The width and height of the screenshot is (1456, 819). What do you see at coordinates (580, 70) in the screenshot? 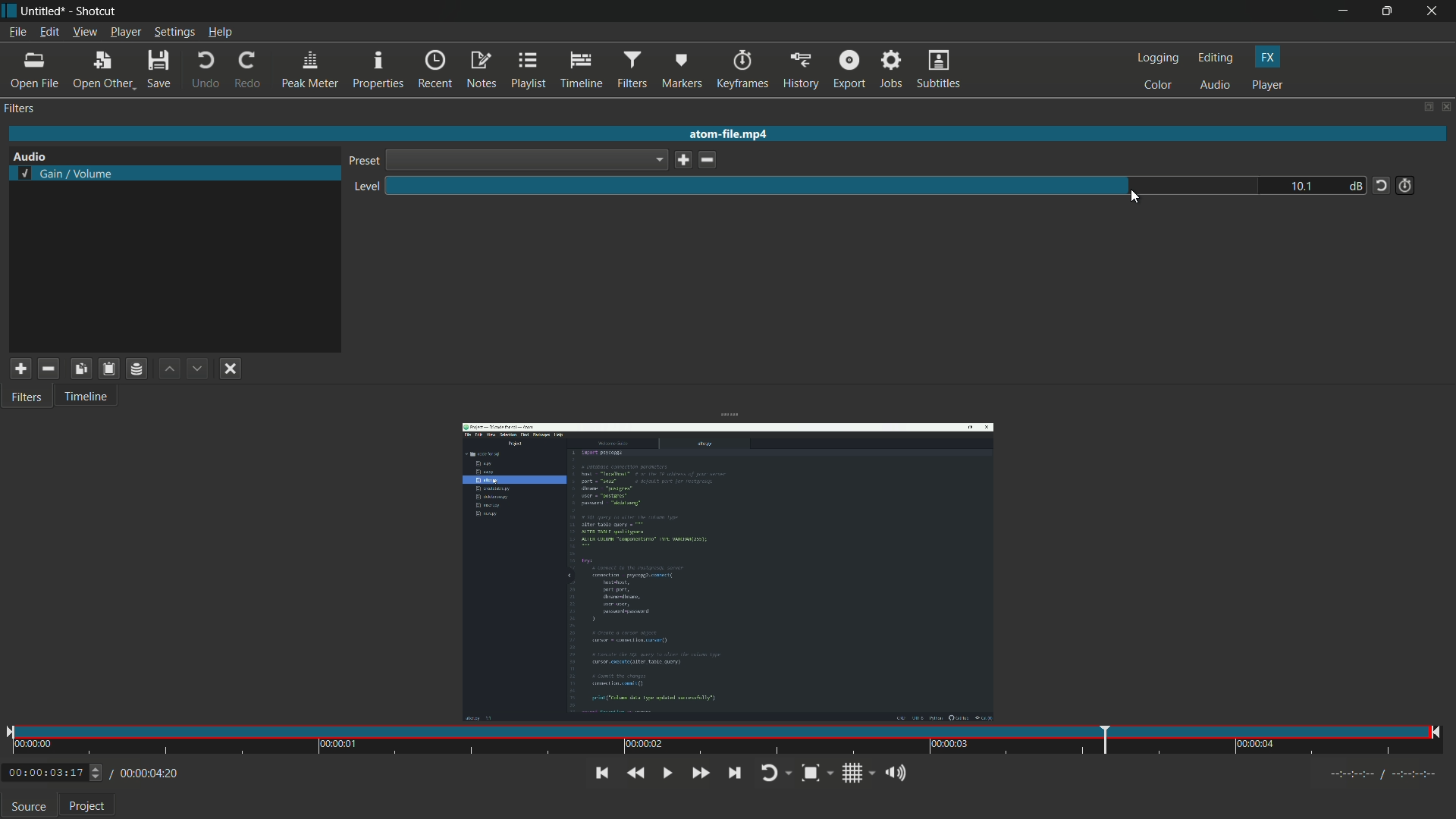
I see `timeline` at bounding box center [580, 70].